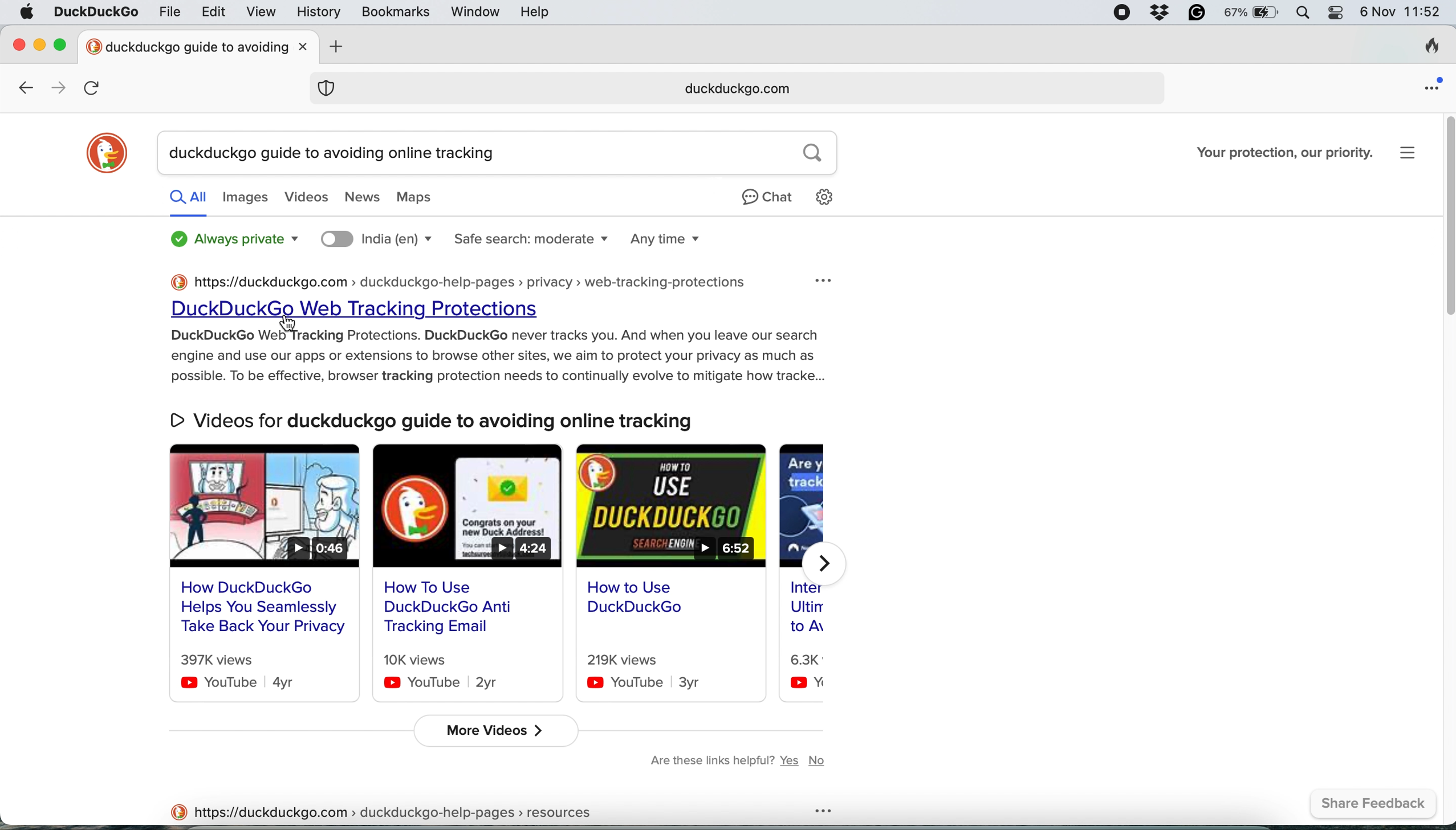 The image size is (1456, 830). I want to click on youtube, so click(452, 683).